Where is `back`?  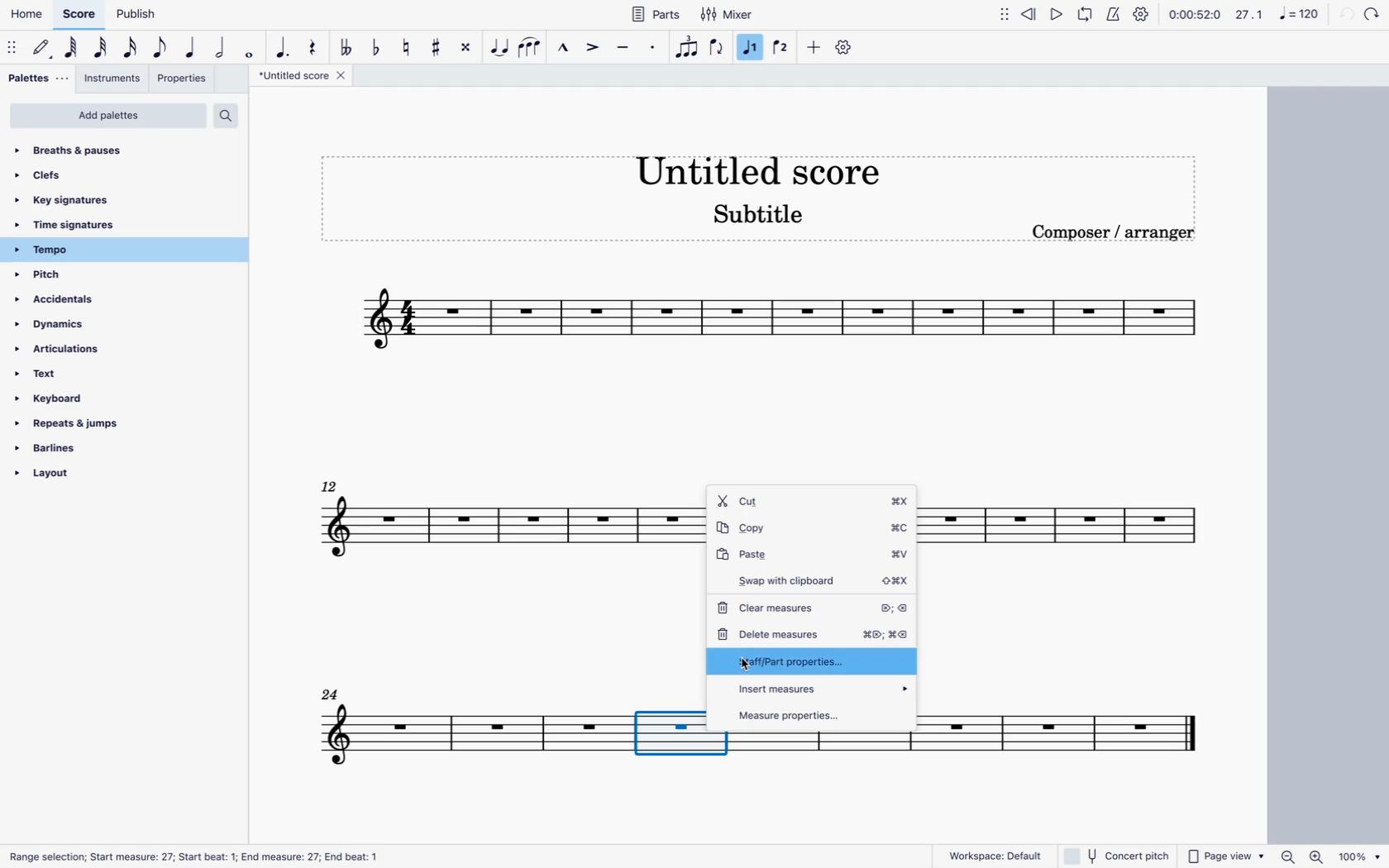
back is located at coordinates (1345, 15).